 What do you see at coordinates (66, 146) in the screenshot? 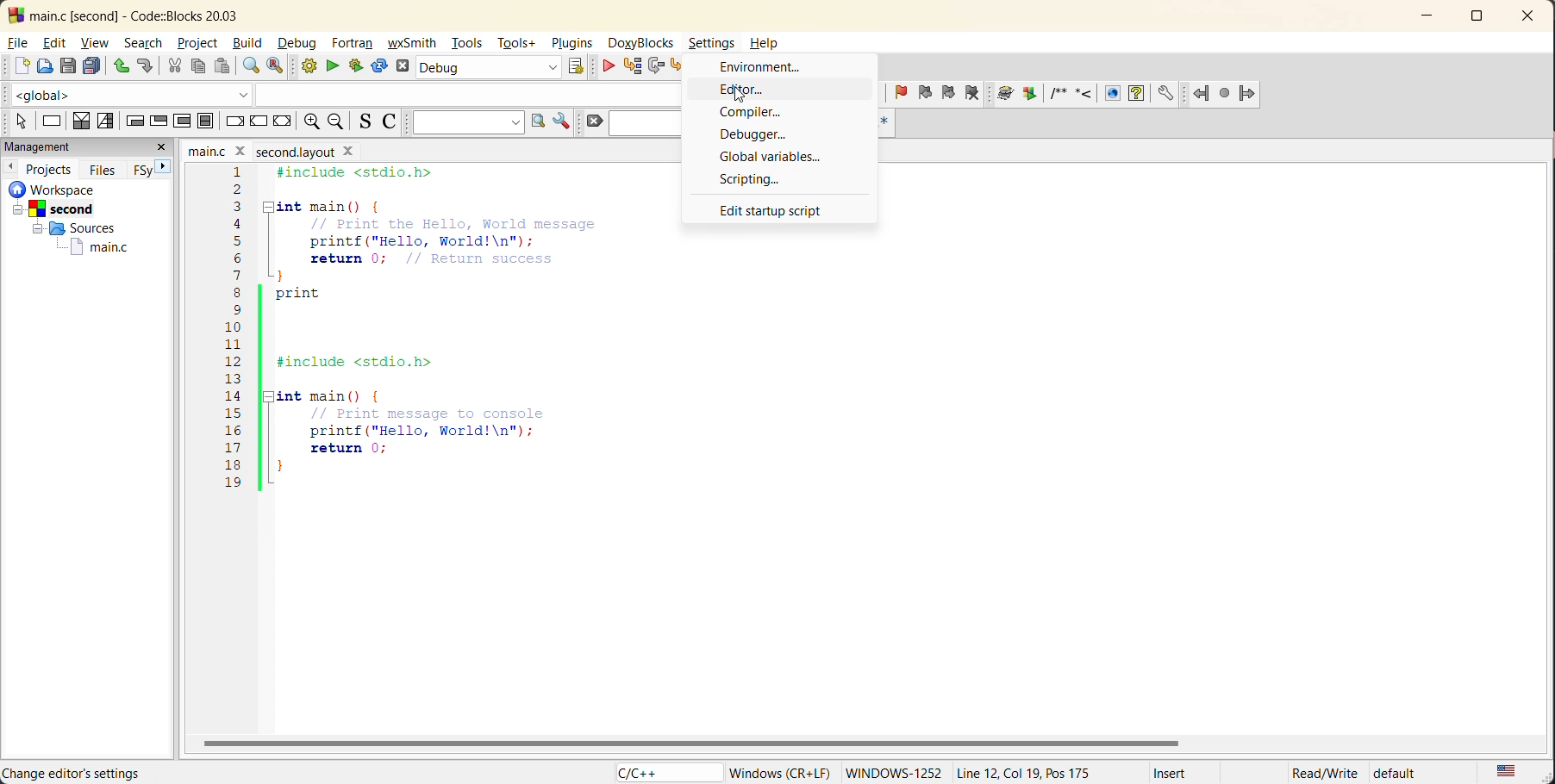
I see `management` at bounding box center [66, 146].